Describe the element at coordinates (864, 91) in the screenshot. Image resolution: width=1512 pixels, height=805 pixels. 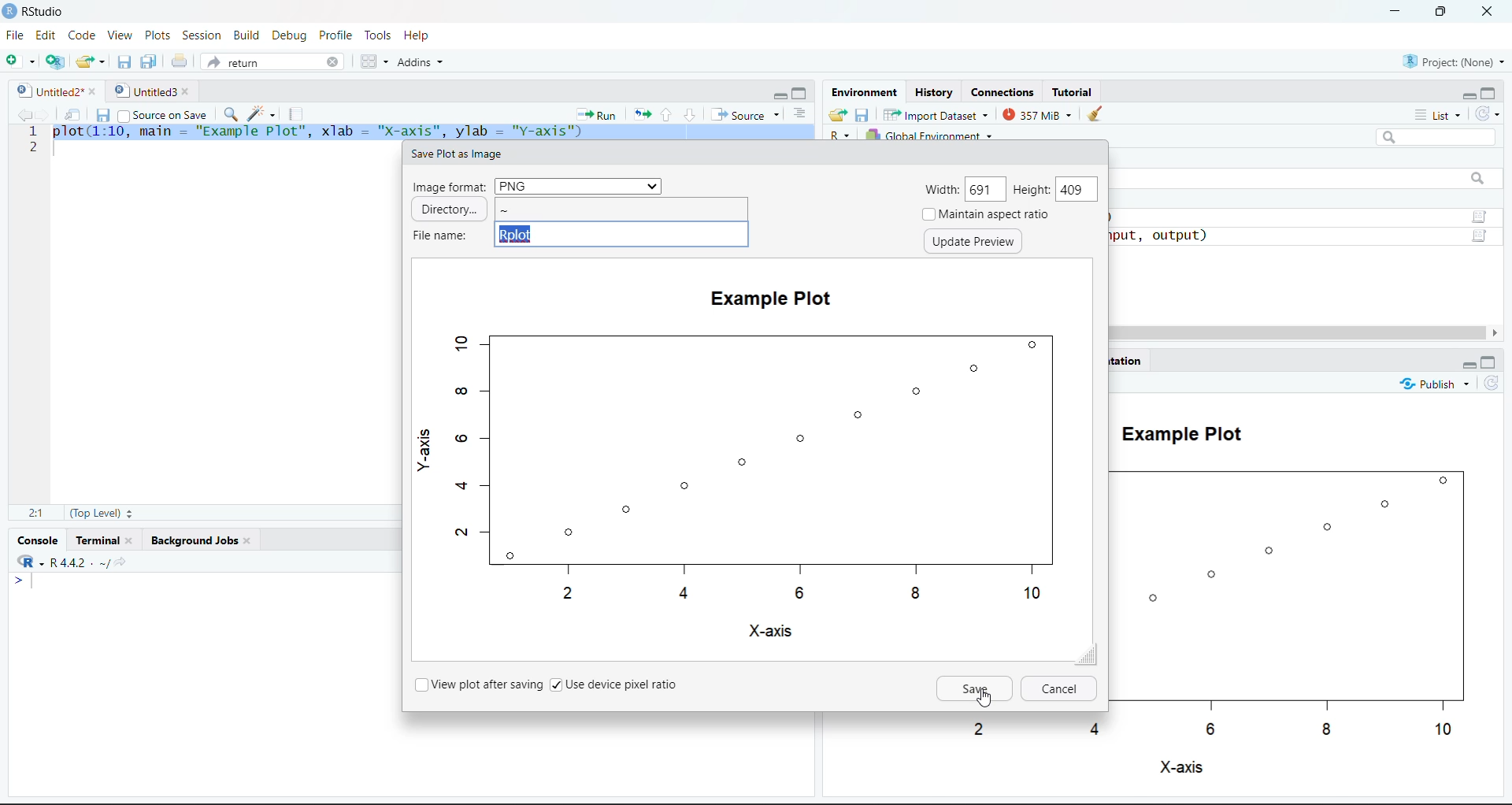
I see `Environment` at that location.